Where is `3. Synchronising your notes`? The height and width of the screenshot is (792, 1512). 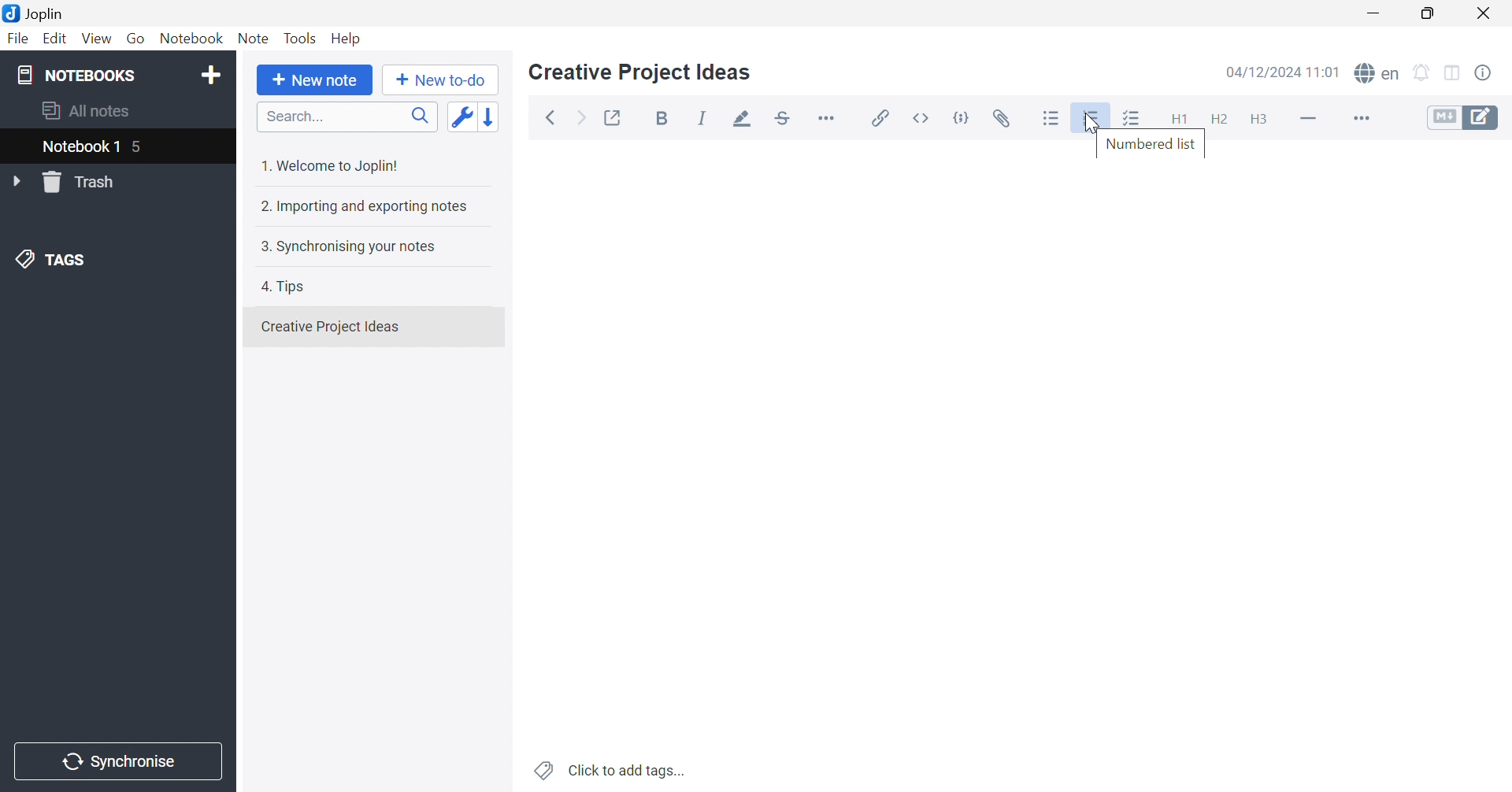
3. Synchronising your notes is located at coordinates (350, 247).